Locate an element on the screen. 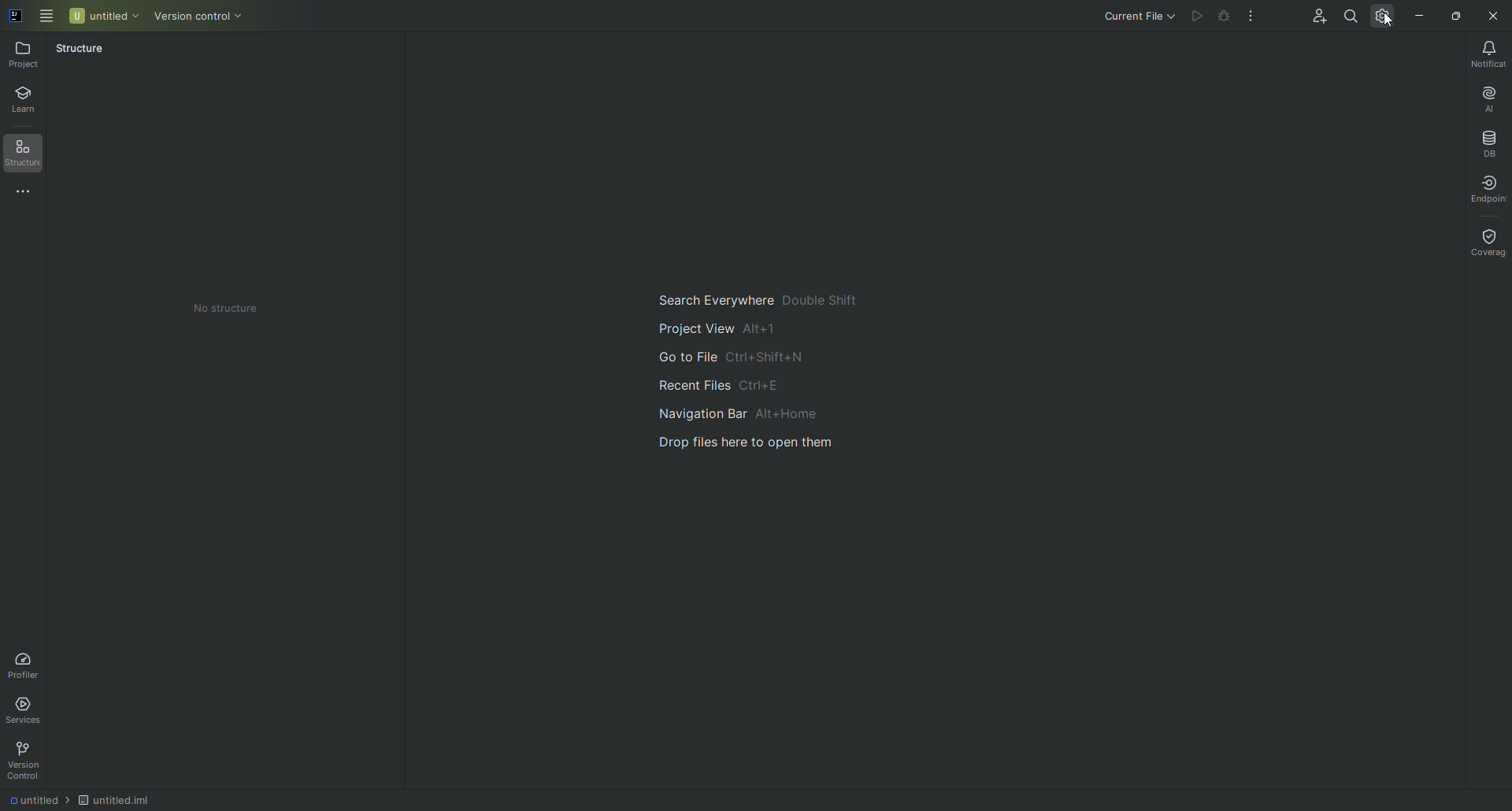 This screenshot has width=1512, height=811. Current file is located at coordinates (1135, 15).